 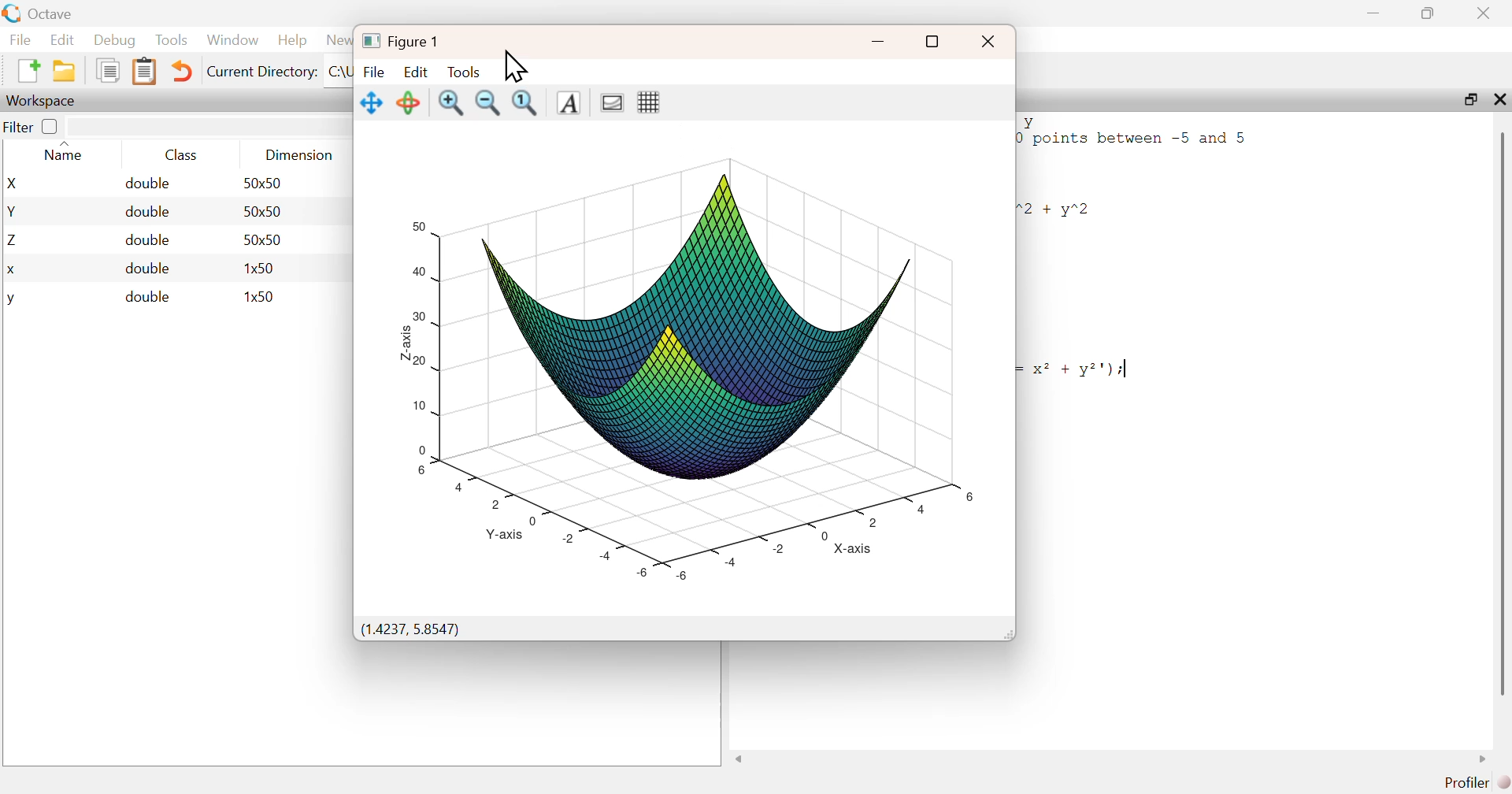 I want to click on scroll right, so click(x=1484, y=759).